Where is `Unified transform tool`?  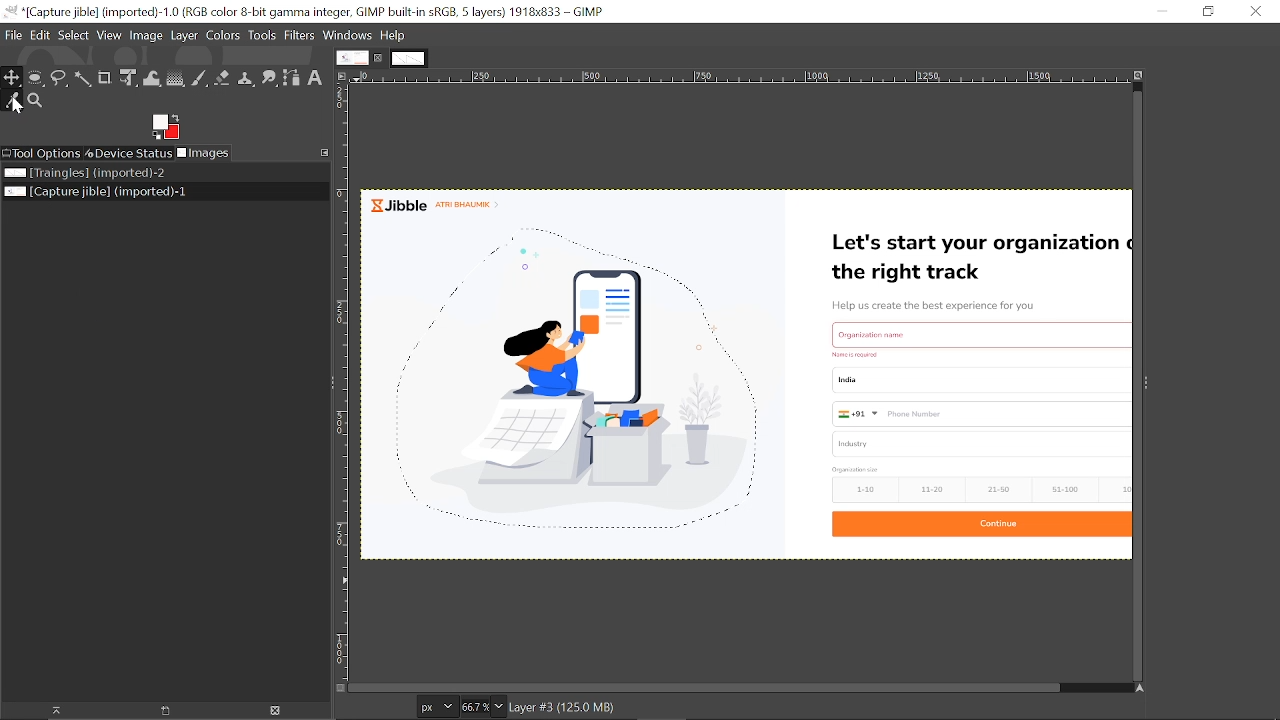
Unified transform tool is located at coordinates (127, 78).